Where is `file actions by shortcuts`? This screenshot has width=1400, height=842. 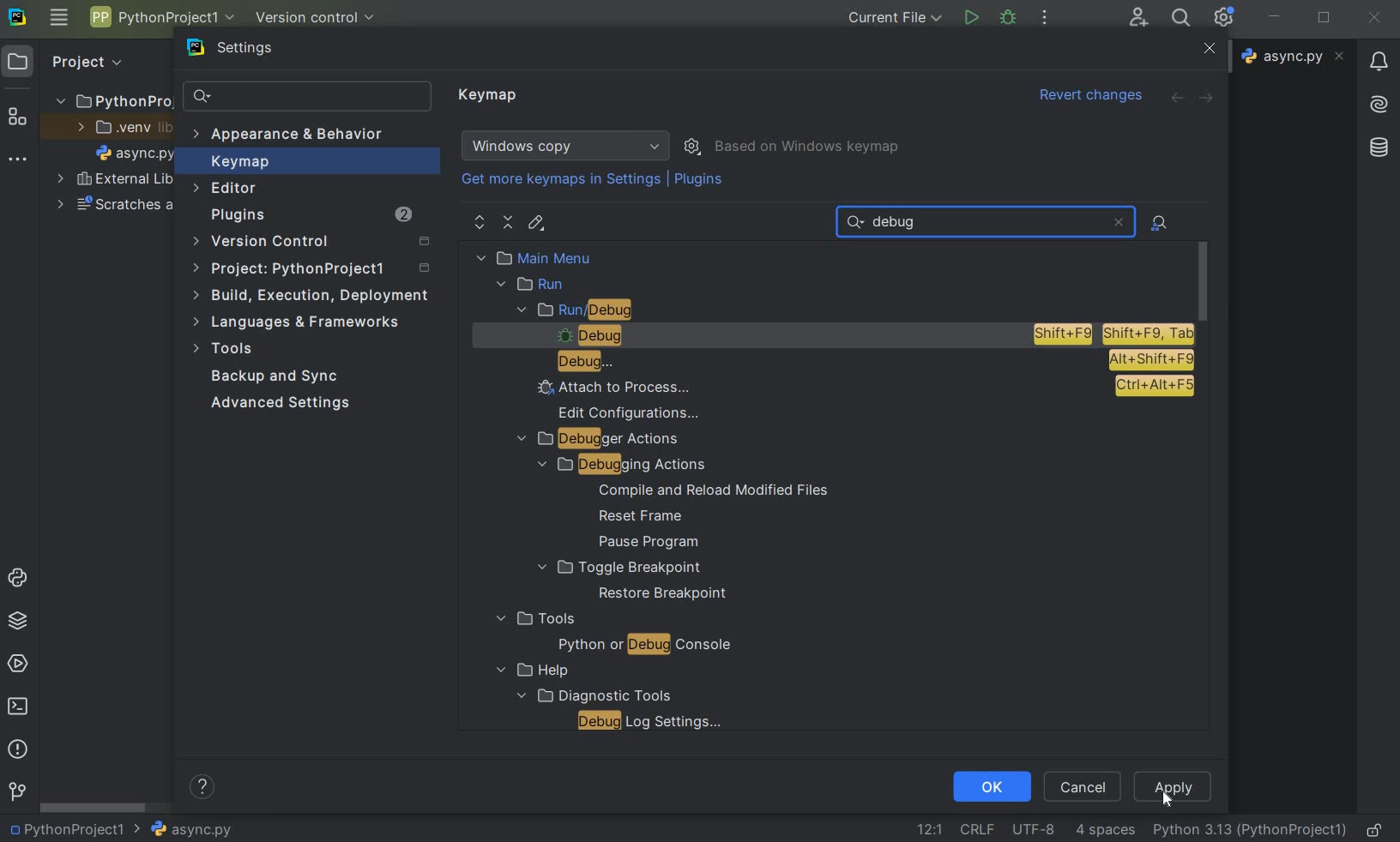 file actions by shortcuts is located at coordinates (1161, 223).